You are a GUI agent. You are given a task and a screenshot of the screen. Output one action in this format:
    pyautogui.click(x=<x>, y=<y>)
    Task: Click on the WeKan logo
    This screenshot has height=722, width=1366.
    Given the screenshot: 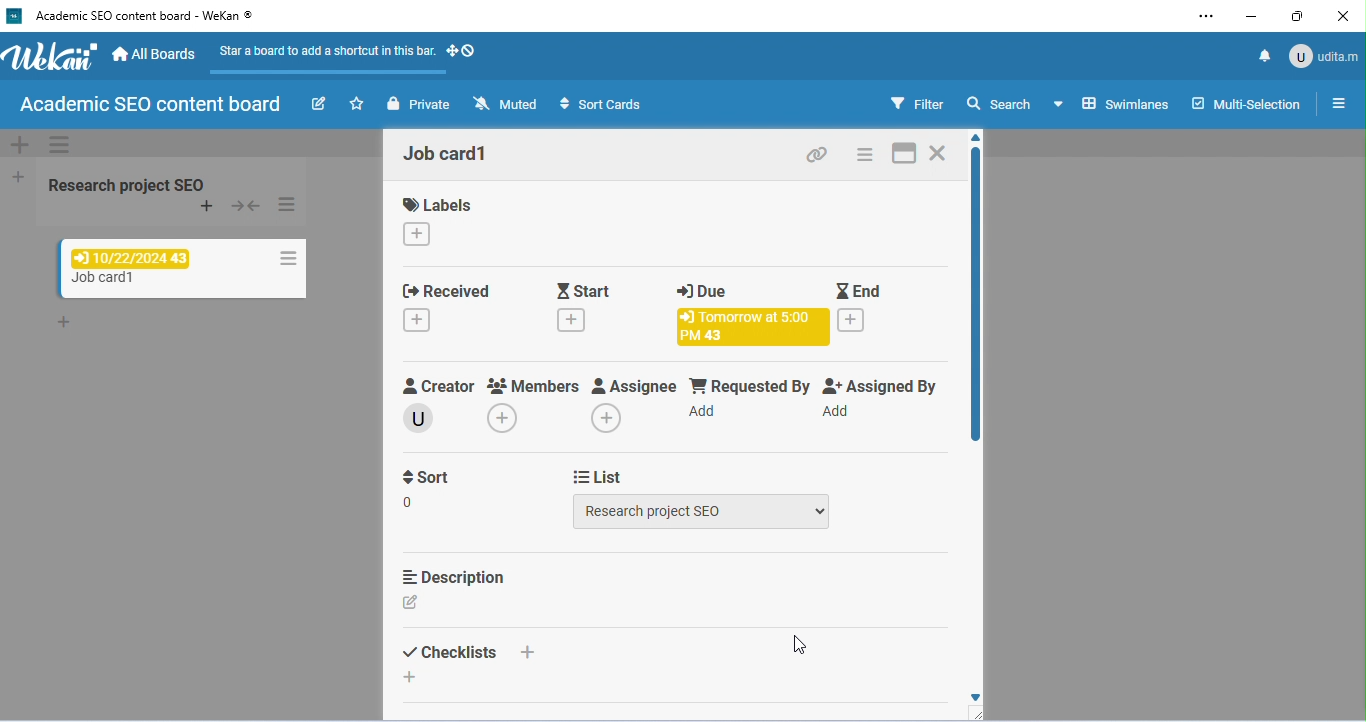 What is the action you would take?
    pyautogui.click(x=51, y=57)
    